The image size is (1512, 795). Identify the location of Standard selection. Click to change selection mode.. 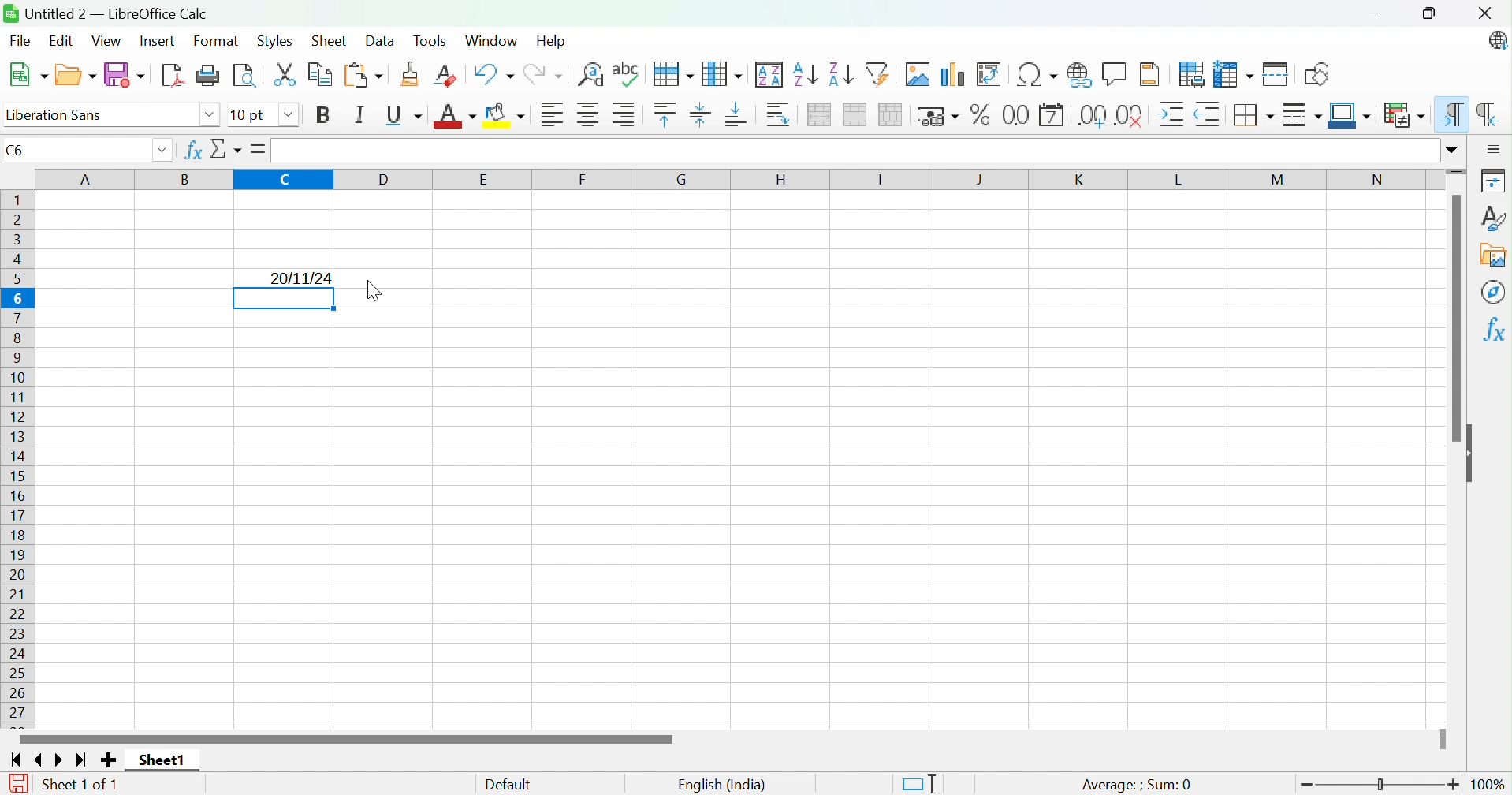
(918, 784).